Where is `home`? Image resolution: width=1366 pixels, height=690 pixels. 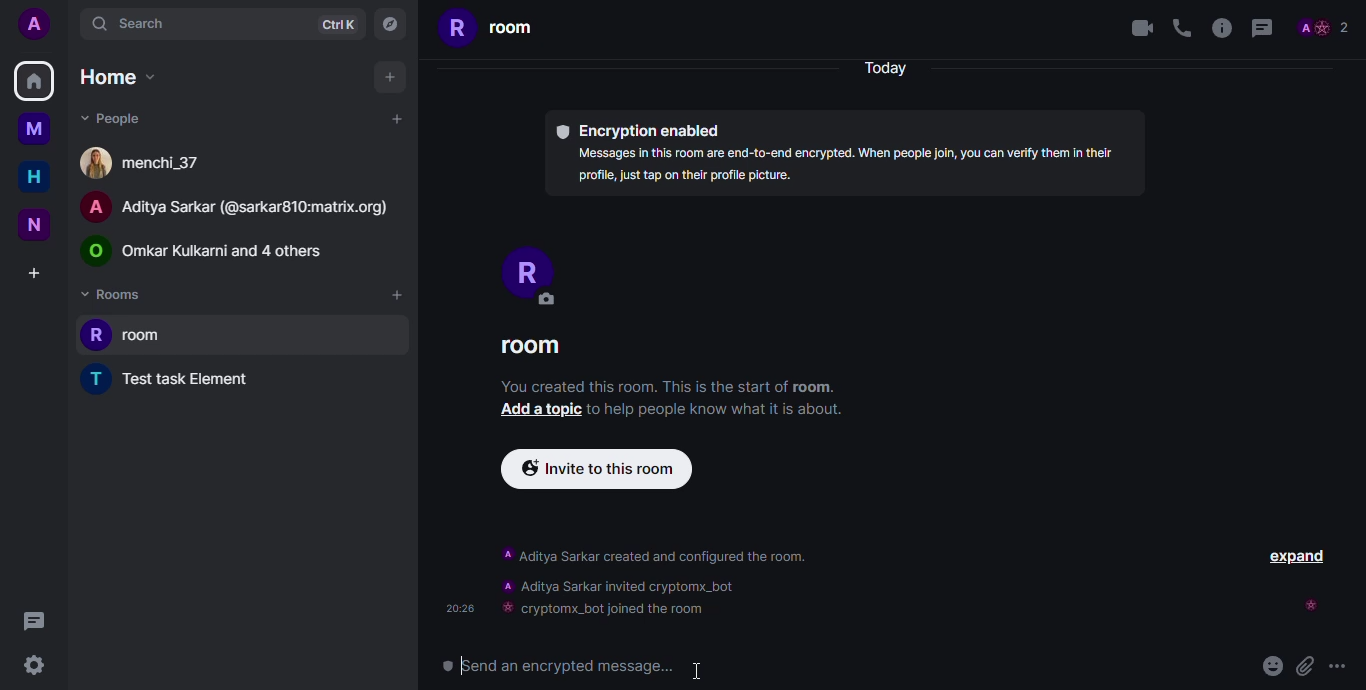
home is located at coordinates (119, 76).